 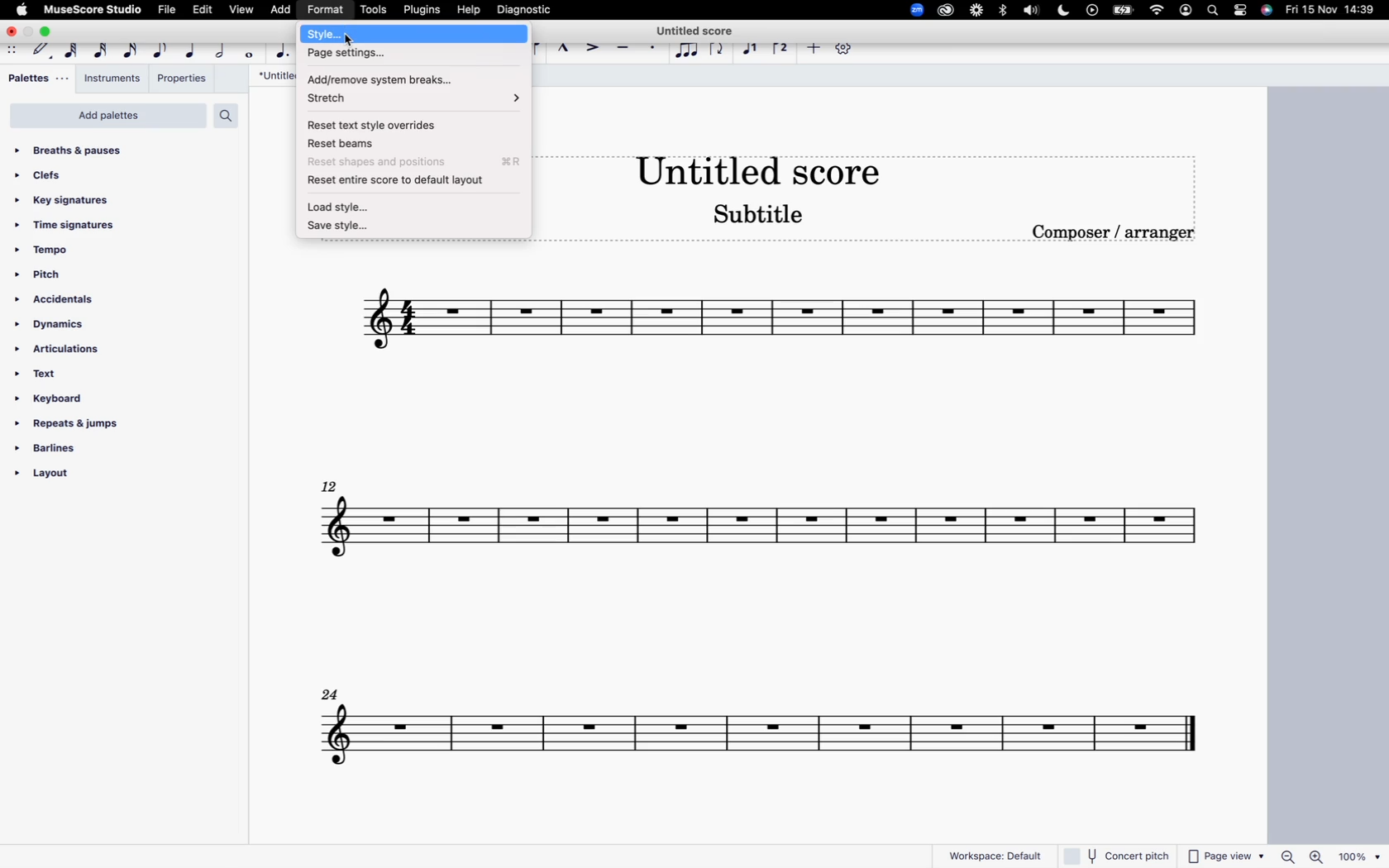 What do you see at coordinates (845, 50) in the screenshot?
I see `settings` at bounding box center [845, 50].